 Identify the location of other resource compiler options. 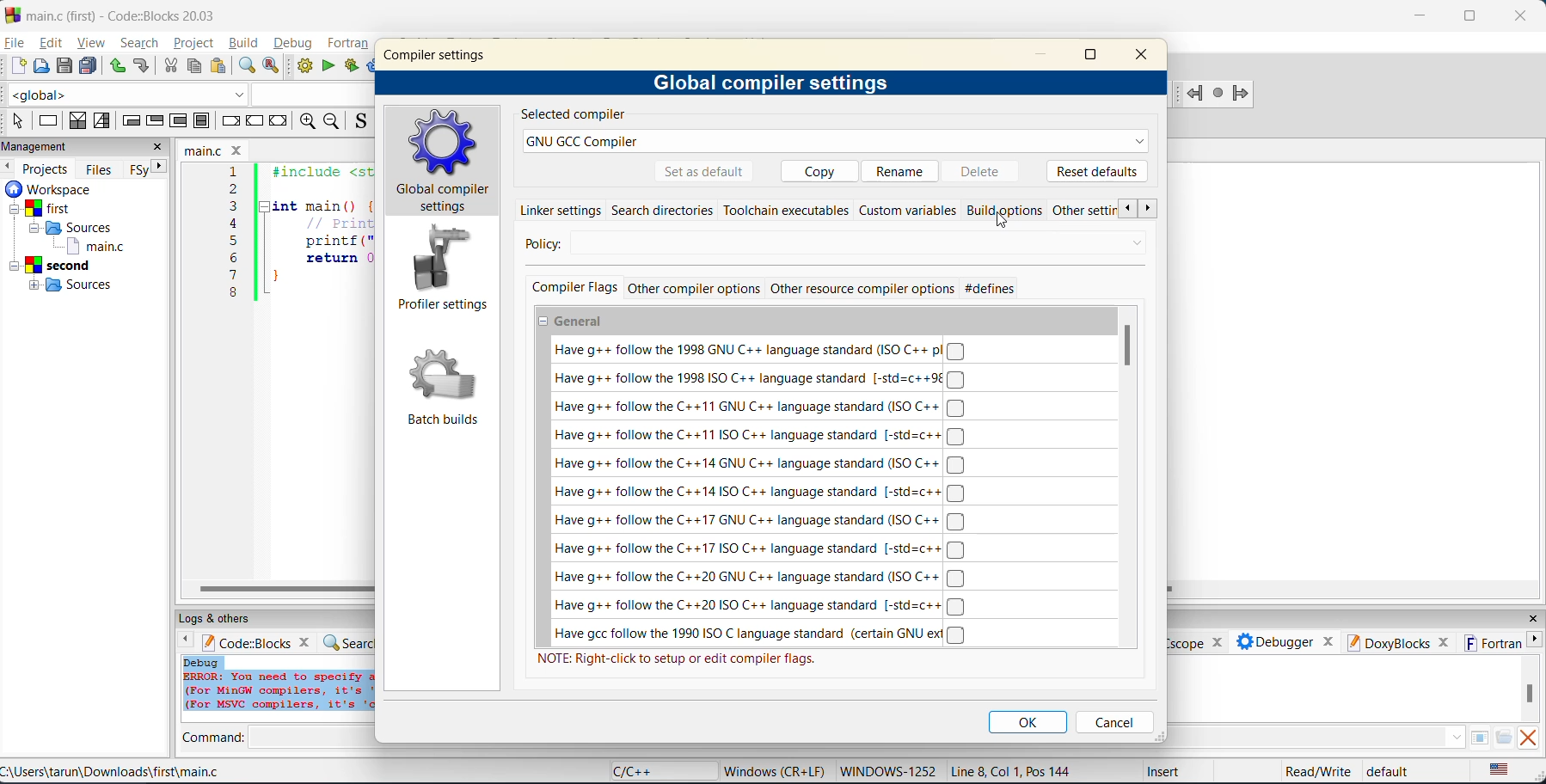
(862, 290).